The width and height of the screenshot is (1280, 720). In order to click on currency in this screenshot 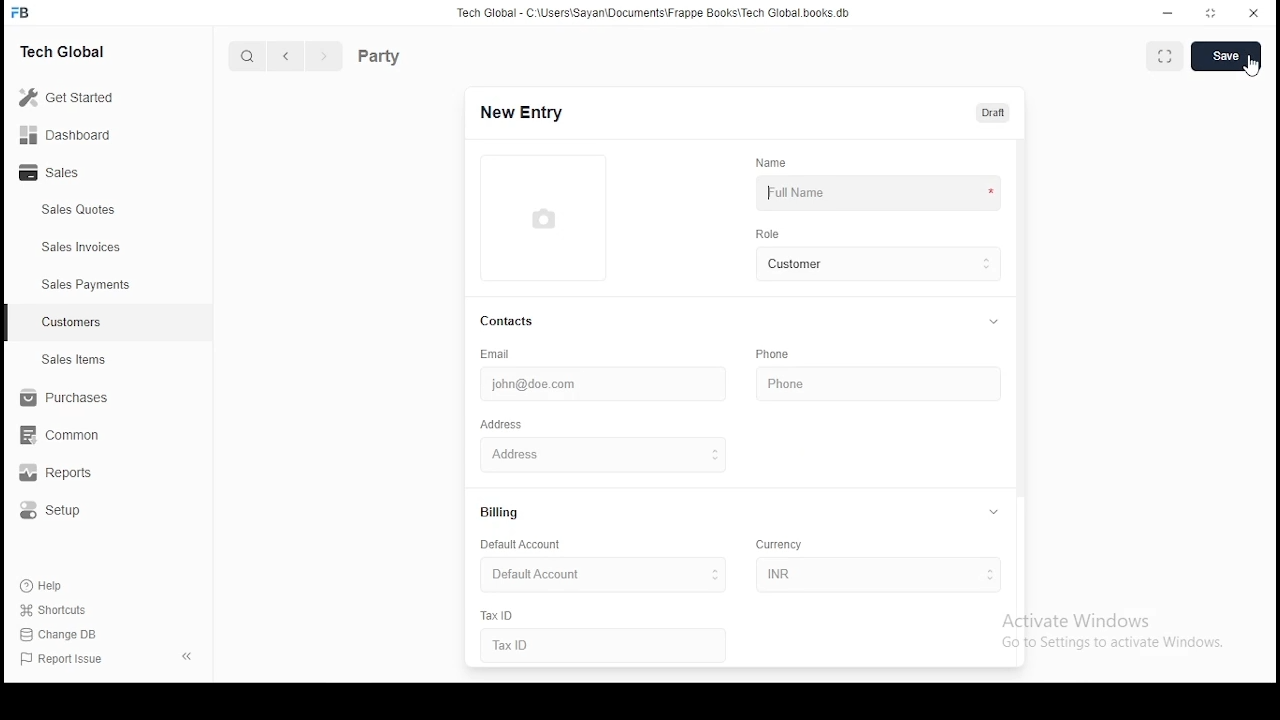, I will do `click(784, 546)`.